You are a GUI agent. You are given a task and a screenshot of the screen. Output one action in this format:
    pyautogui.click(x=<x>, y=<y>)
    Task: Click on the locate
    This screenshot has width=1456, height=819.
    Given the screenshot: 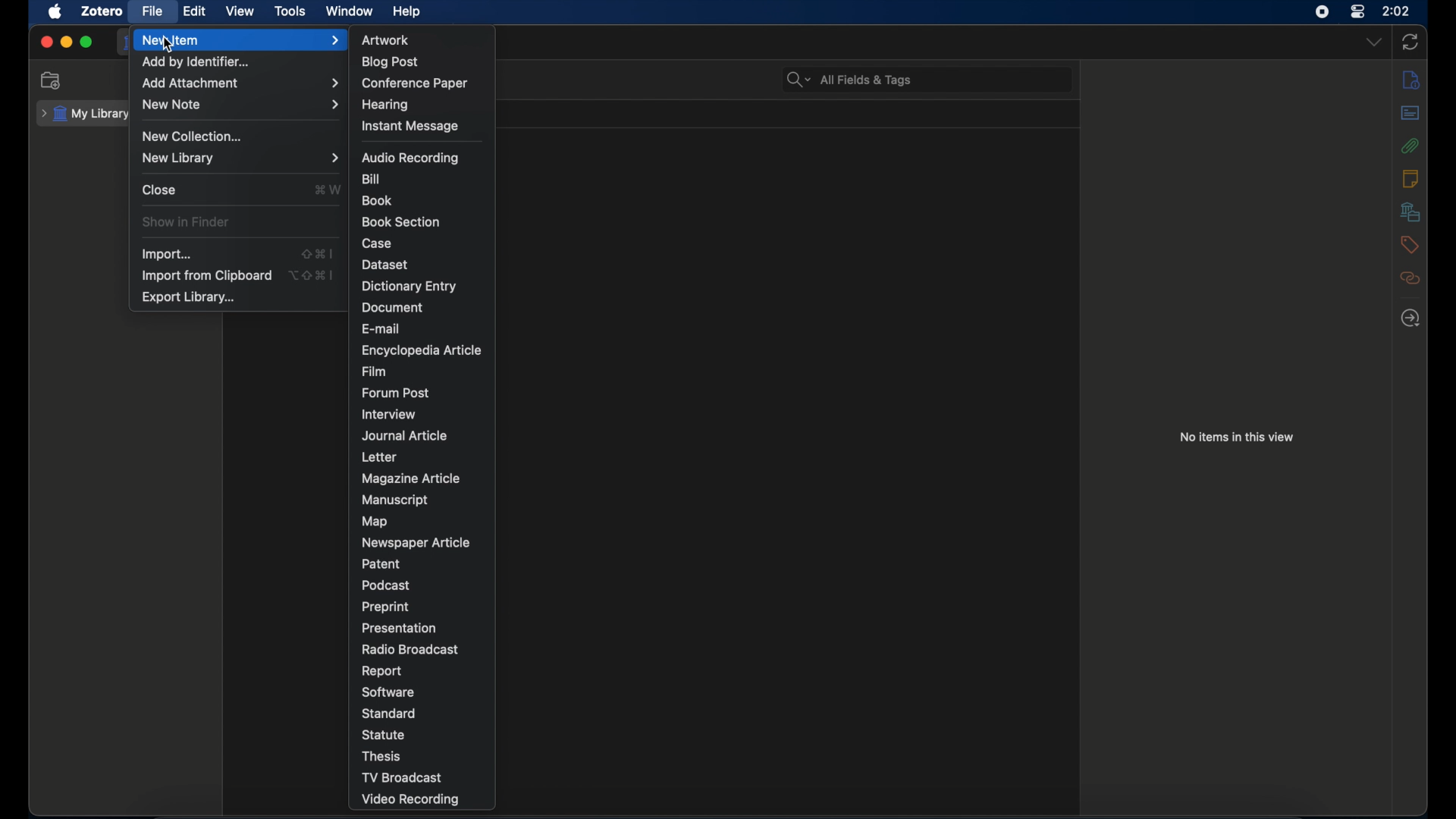 What is the action you would take?
    pyautogui.click(x=1412, y=318)
    